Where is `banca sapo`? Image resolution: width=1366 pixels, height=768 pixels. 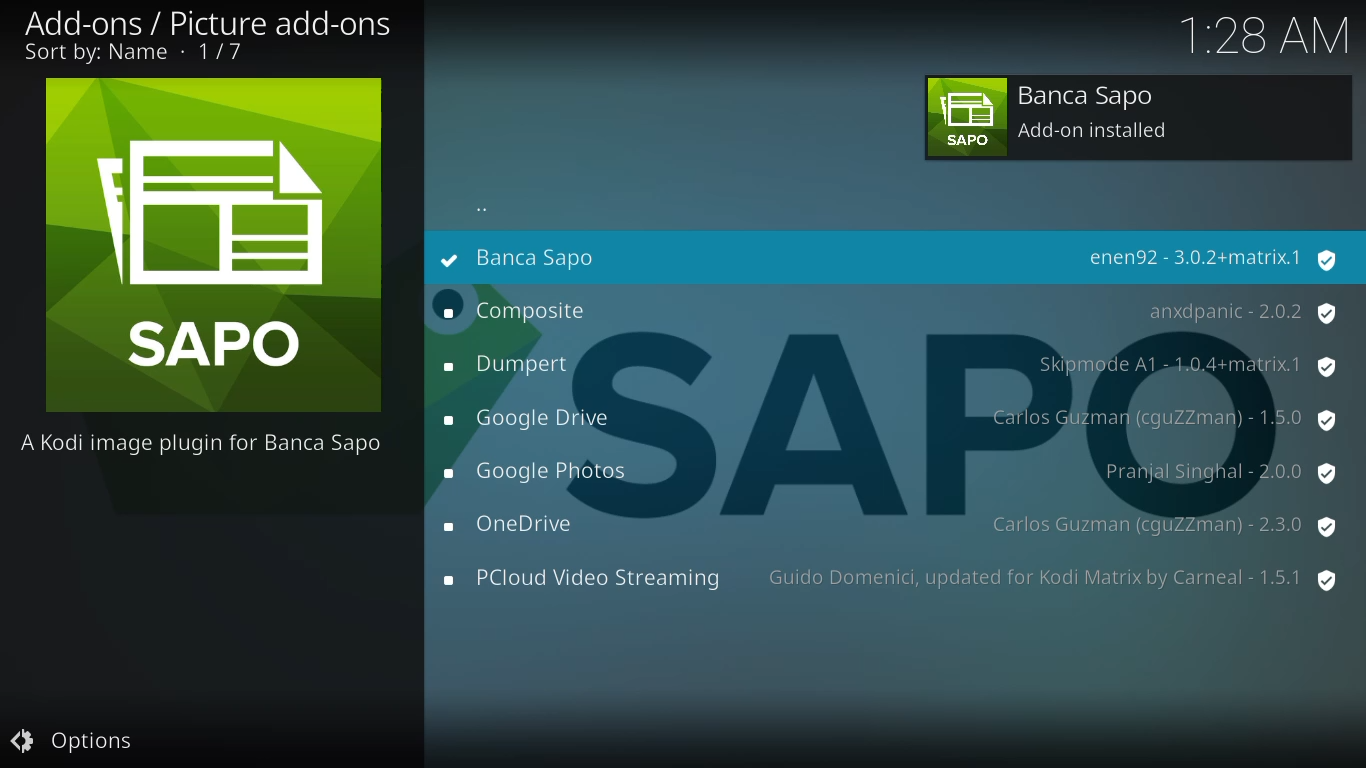 banca sapo is located at coordinates (558, 256).